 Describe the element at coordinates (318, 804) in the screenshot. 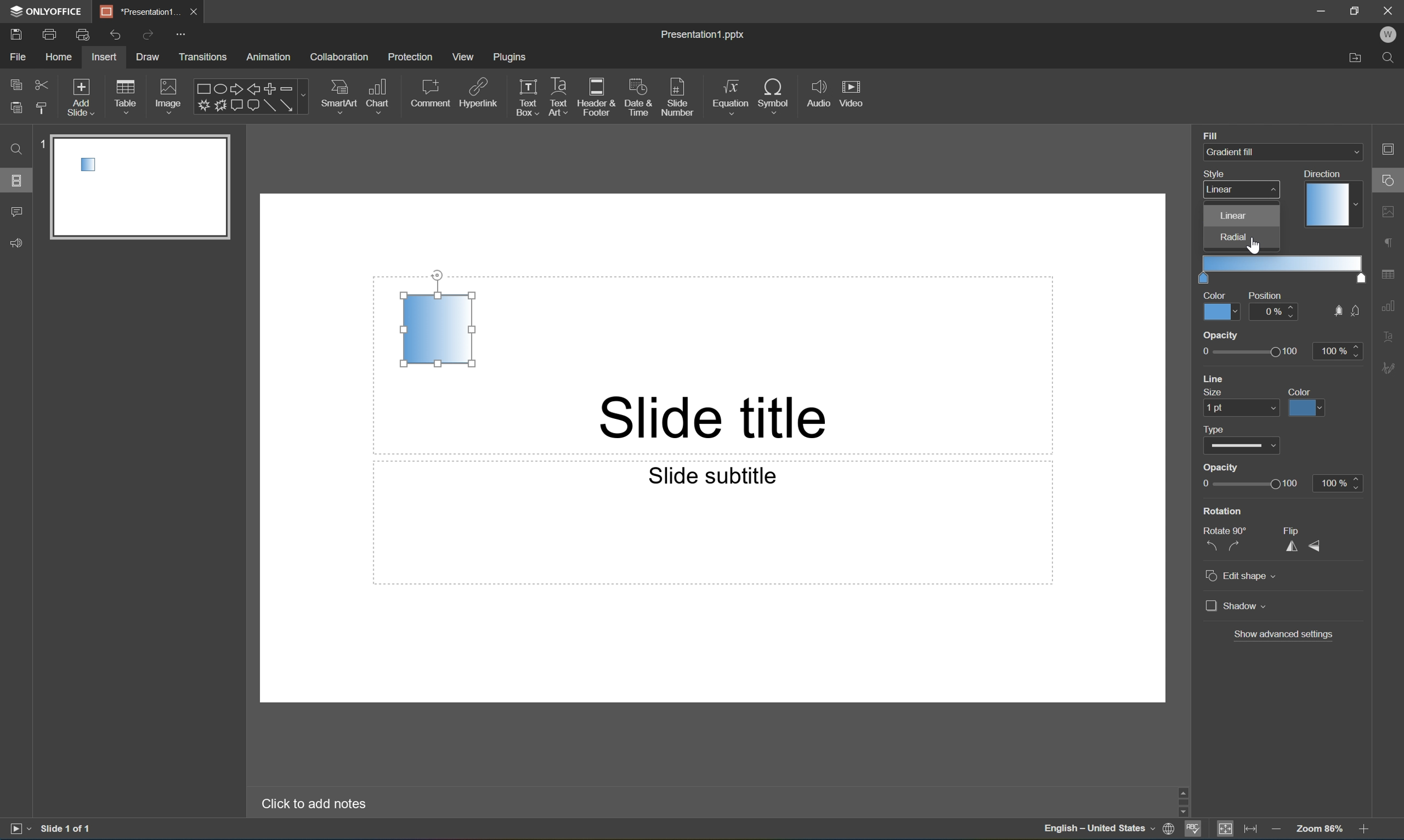

I see `Click to add notes` at that location.